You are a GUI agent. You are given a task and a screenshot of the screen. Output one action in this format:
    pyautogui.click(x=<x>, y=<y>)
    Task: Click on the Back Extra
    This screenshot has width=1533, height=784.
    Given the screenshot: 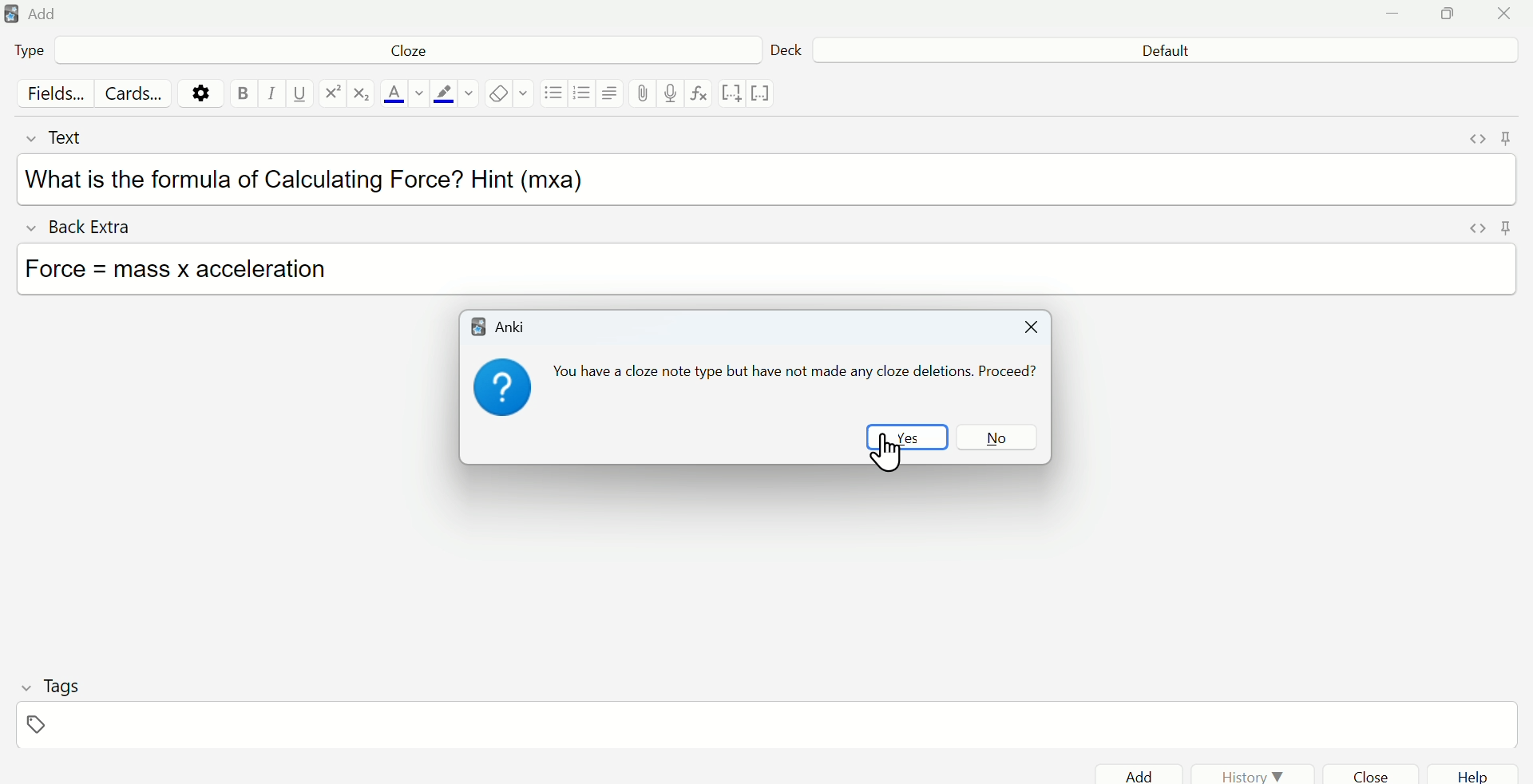 What is the action you would take?
    pyautogui.click(x=81, y=228)
    